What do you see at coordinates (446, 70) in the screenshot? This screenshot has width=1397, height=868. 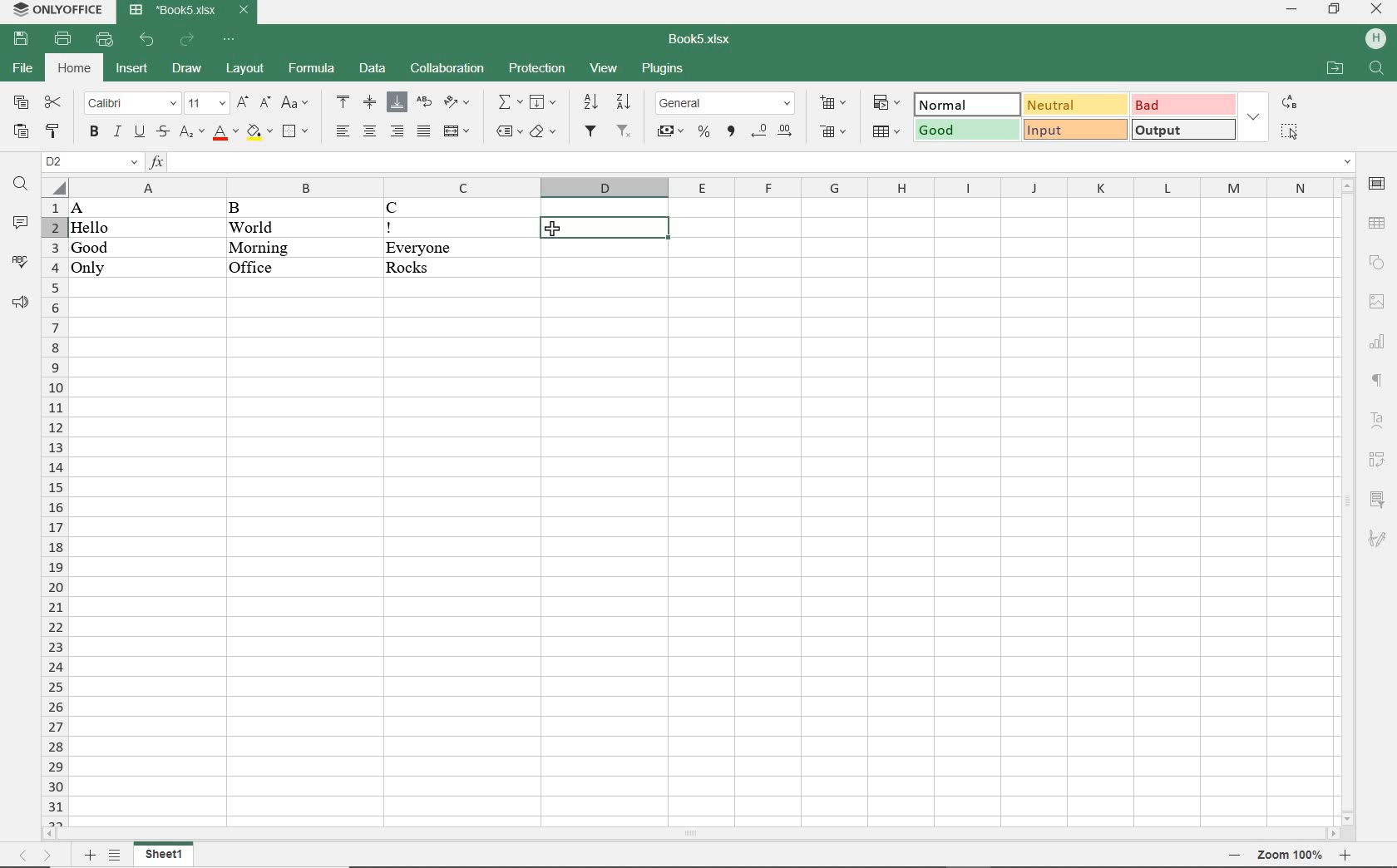 I see `collaboration` at bounding box center [446, 70].